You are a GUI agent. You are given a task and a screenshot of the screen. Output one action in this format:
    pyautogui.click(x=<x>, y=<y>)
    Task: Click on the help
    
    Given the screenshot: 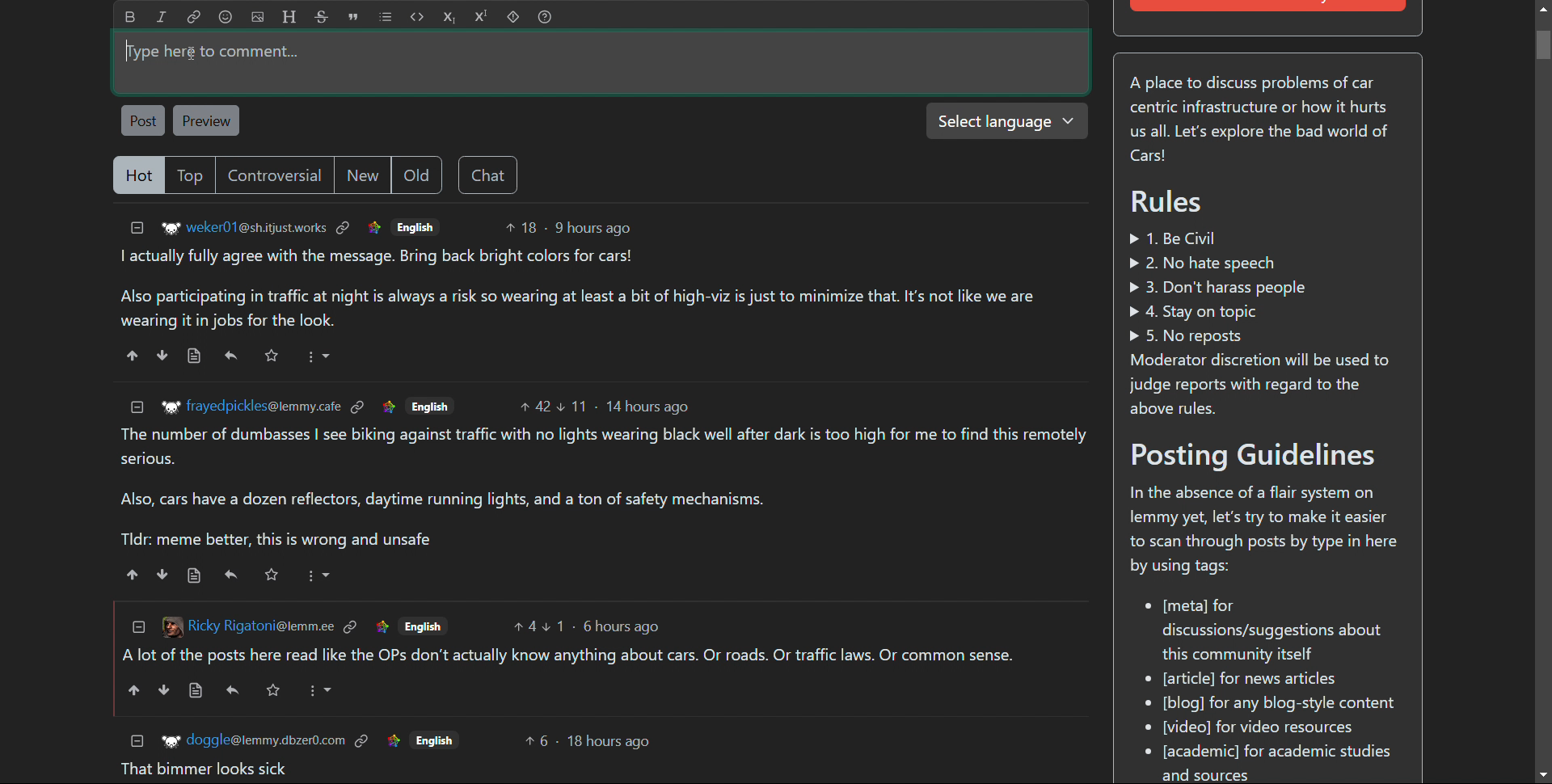 What is the action you would take?
    pyautogui.click(x=544, y=17)
    